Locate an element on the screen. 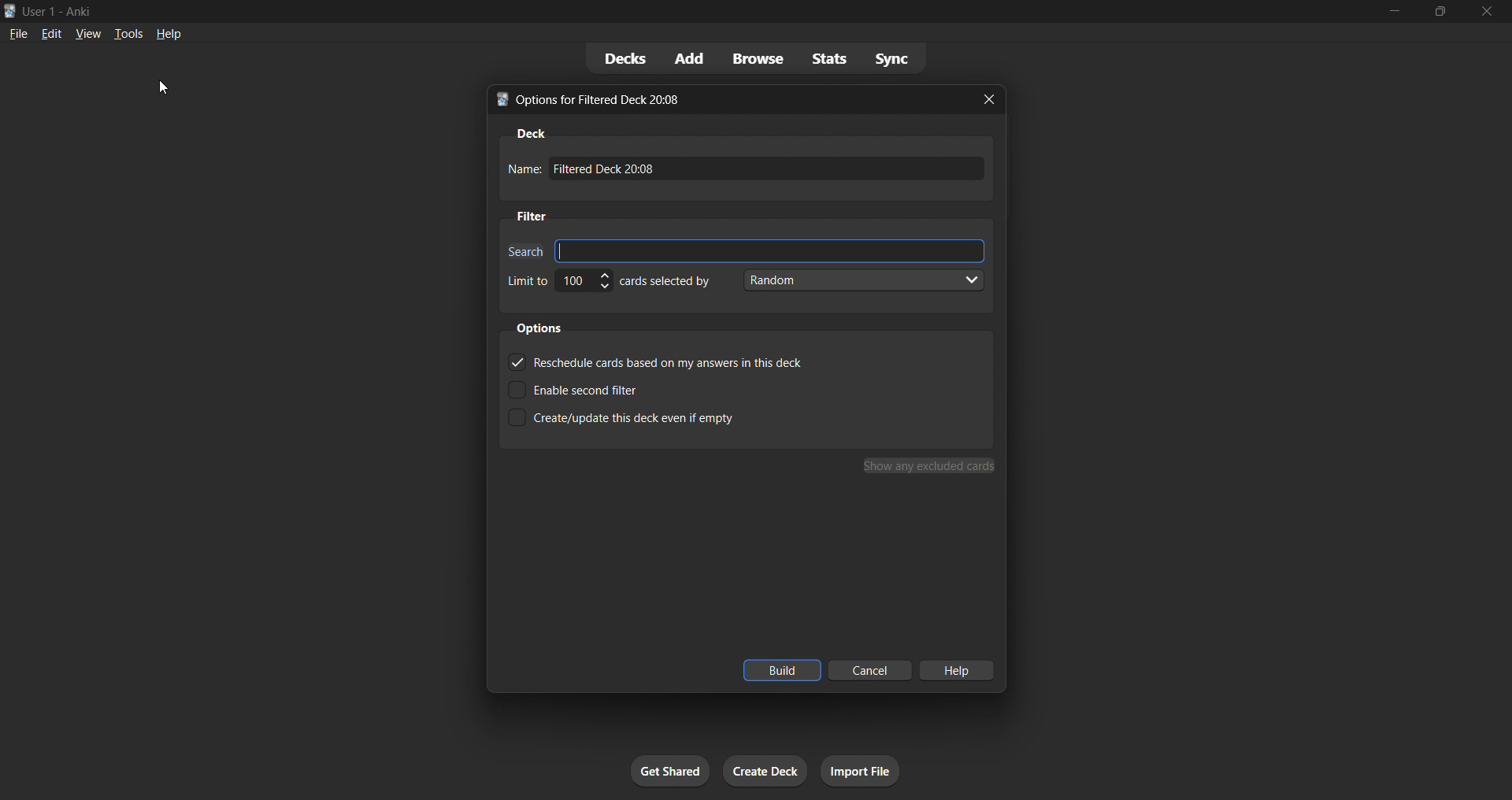  import file is located at coordinates (861, 770).